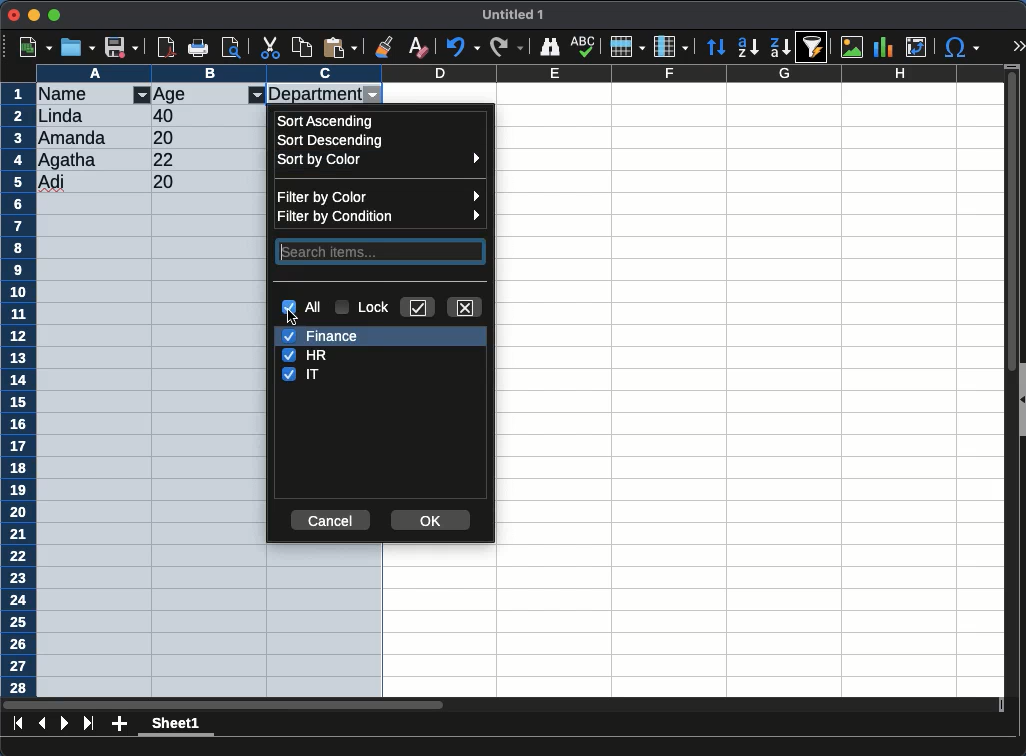 The image size is (1026, 756). I want to click on page preview, so click(235, 47).